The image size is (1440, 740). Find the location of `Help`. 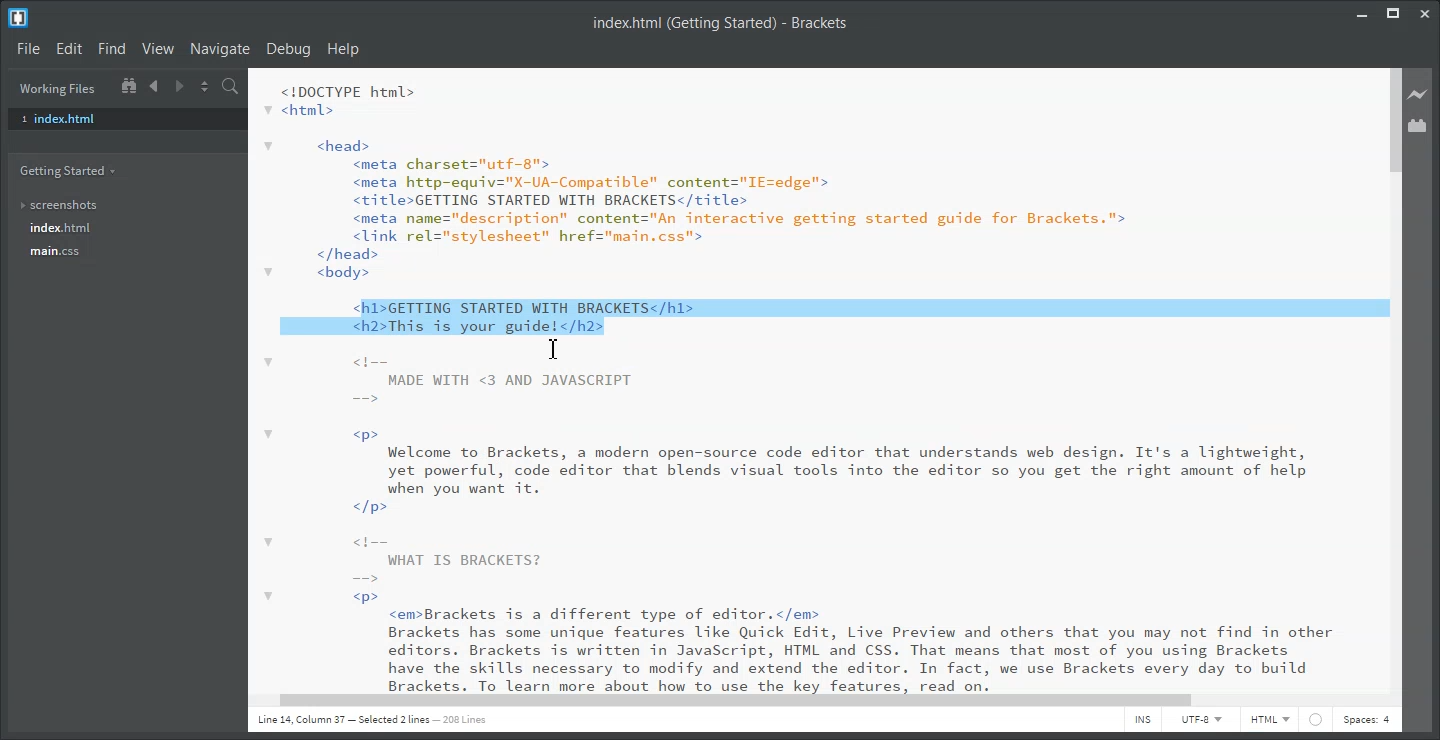

Help is located at coordinates (344, 49).